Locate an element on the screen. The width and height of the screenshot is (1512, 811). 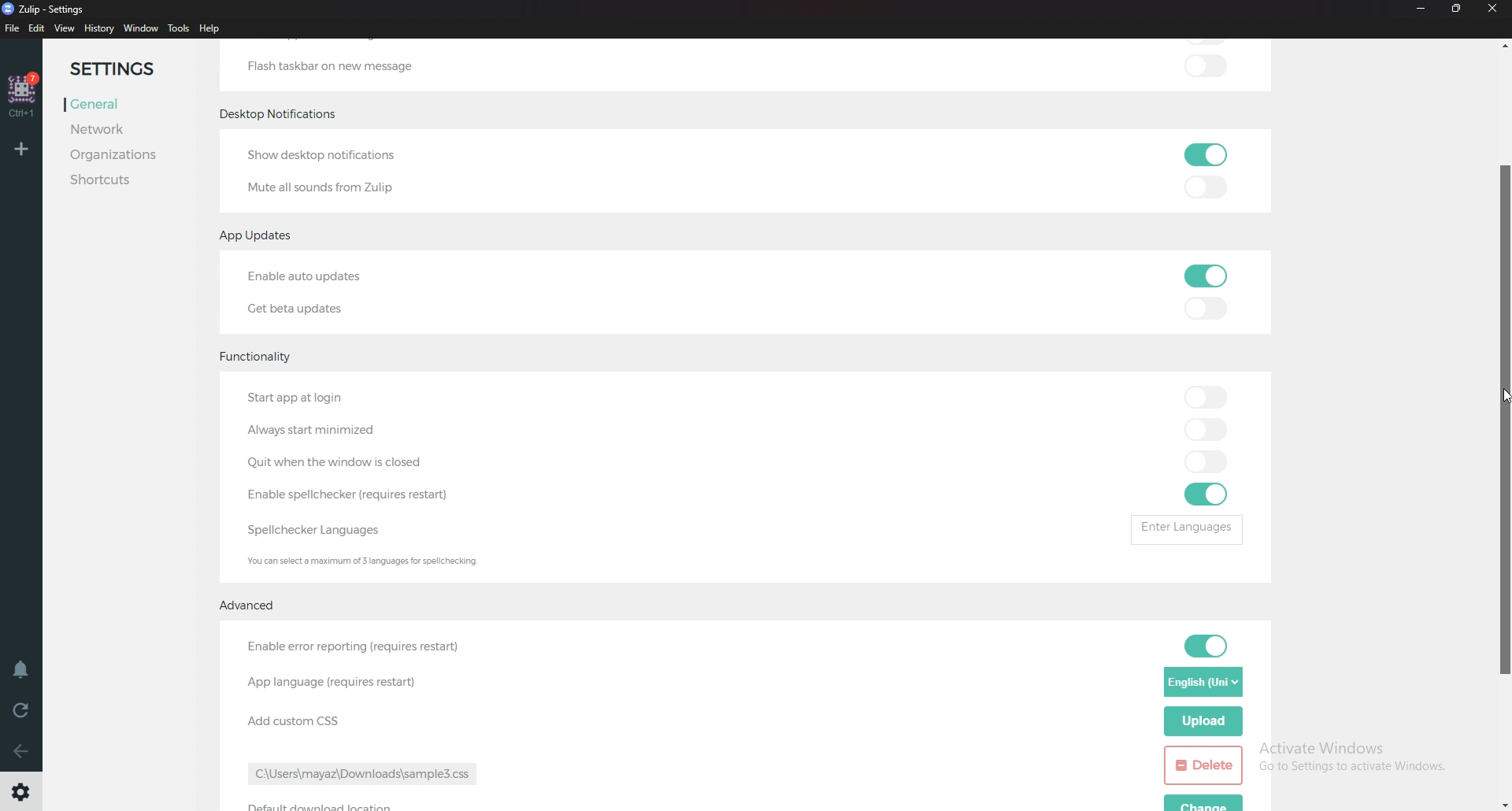
zulip is located at coordinates (42, 8).